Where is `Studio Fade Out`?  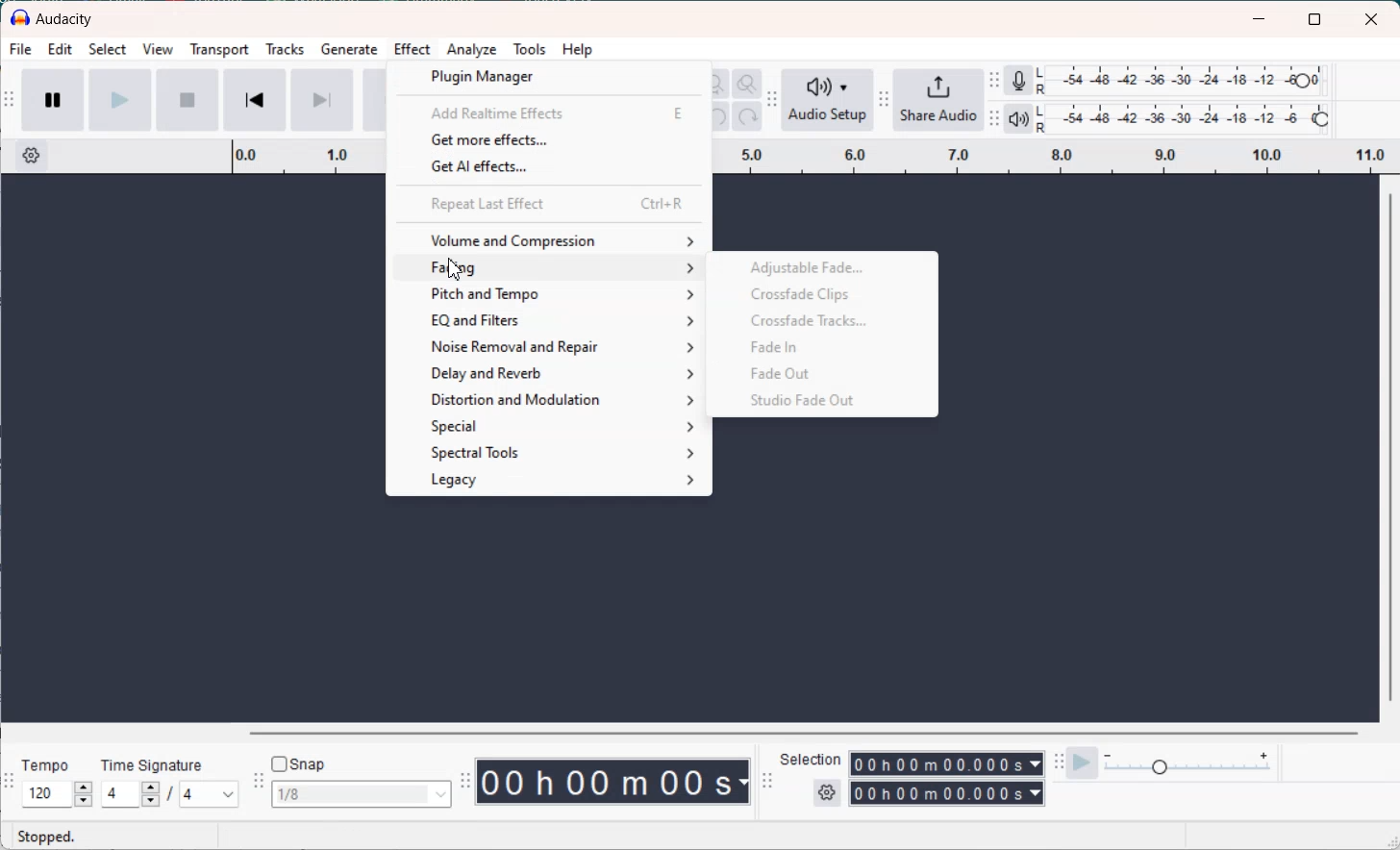
Studio Fade Out is located at coordinates (820, 399).